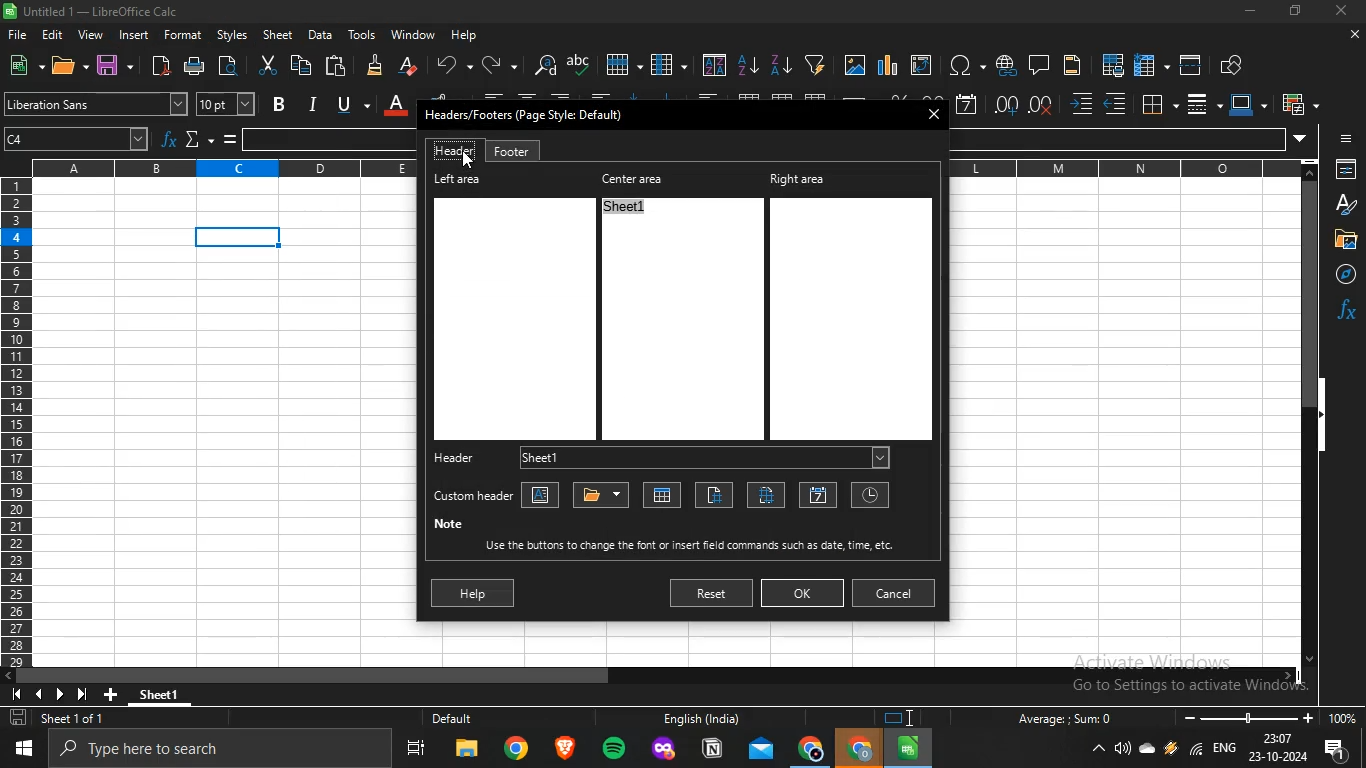 Image resolution: width=1366 pixels, height=768 pixels. I want to click on increase indent, so click(1082, 105).